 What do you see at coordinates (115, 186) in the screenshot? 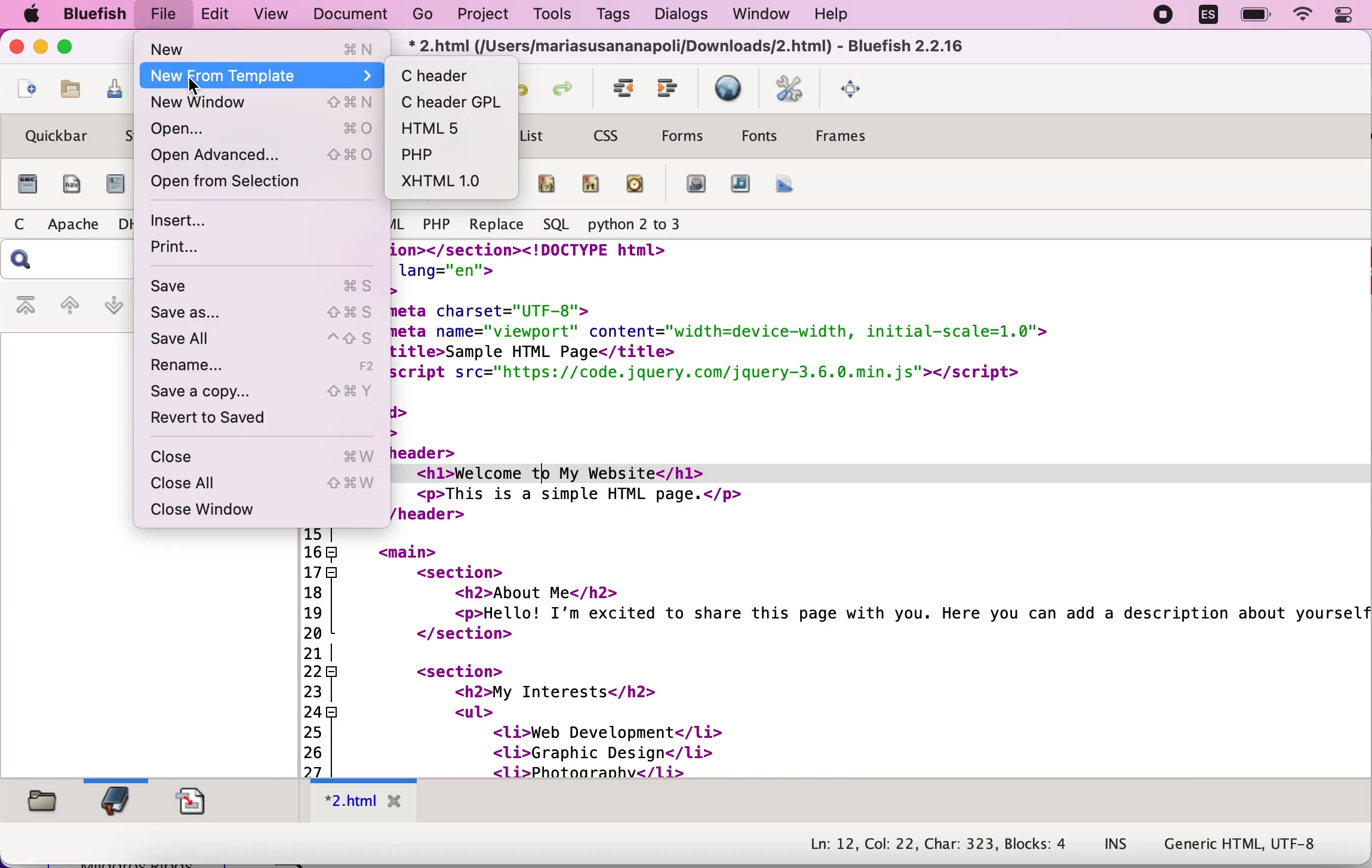
I see `article` at bounding box center [115, 186].